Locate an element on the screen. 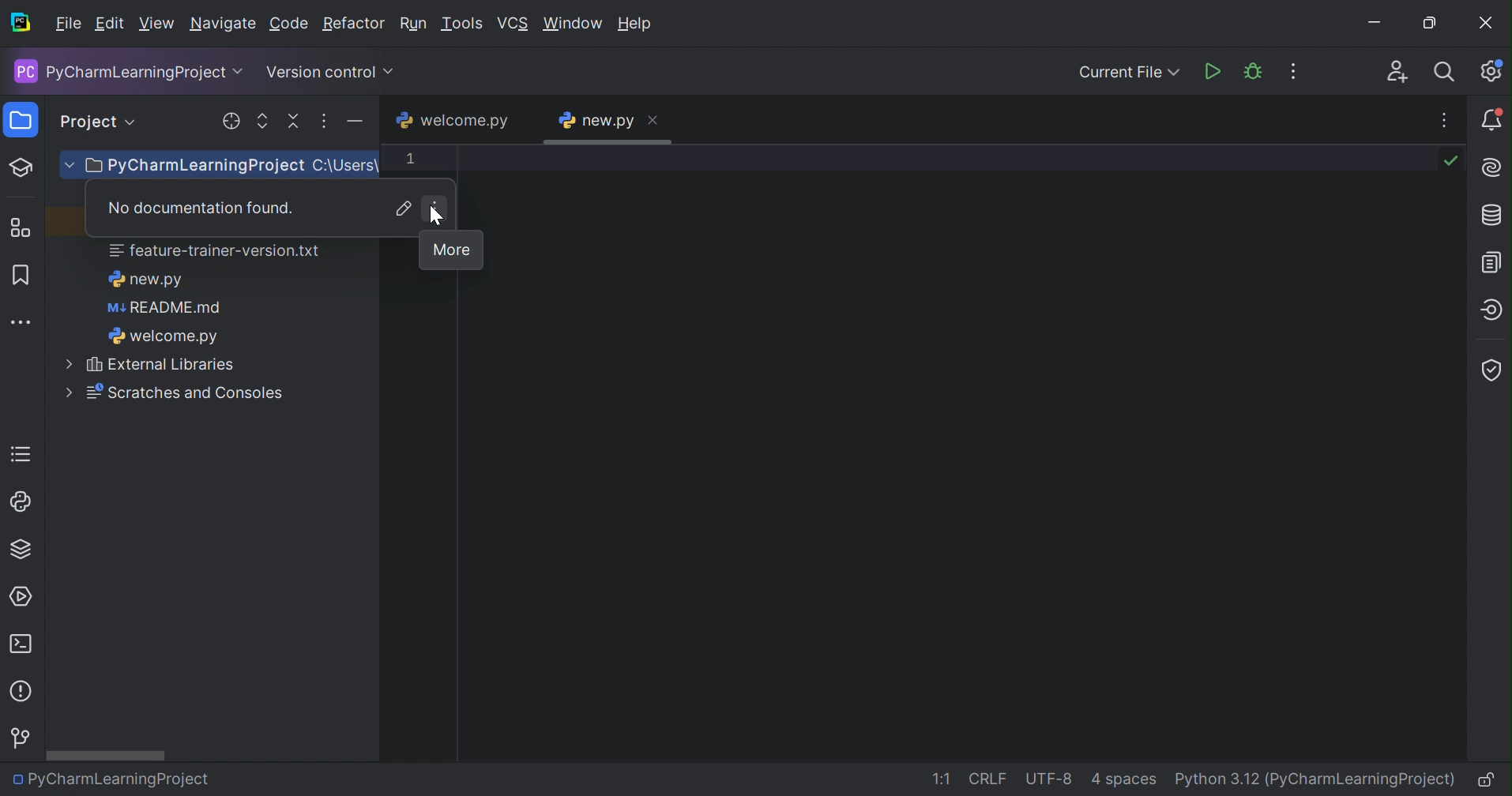  More Actions is located at coordinates (1292, 71).